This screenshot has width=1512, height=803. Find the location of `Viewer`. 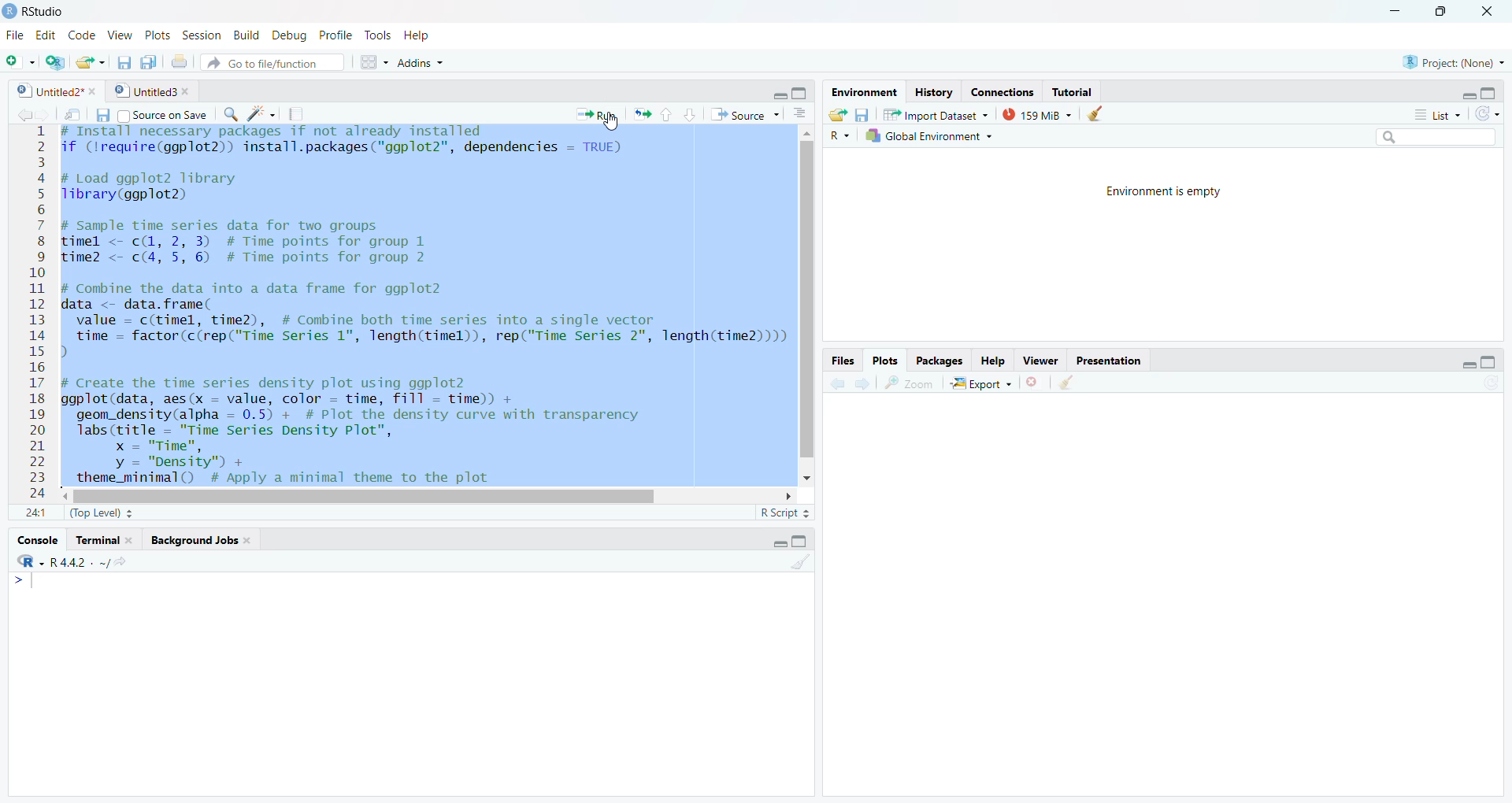

Viewer is located at coordinates (1043, 361).